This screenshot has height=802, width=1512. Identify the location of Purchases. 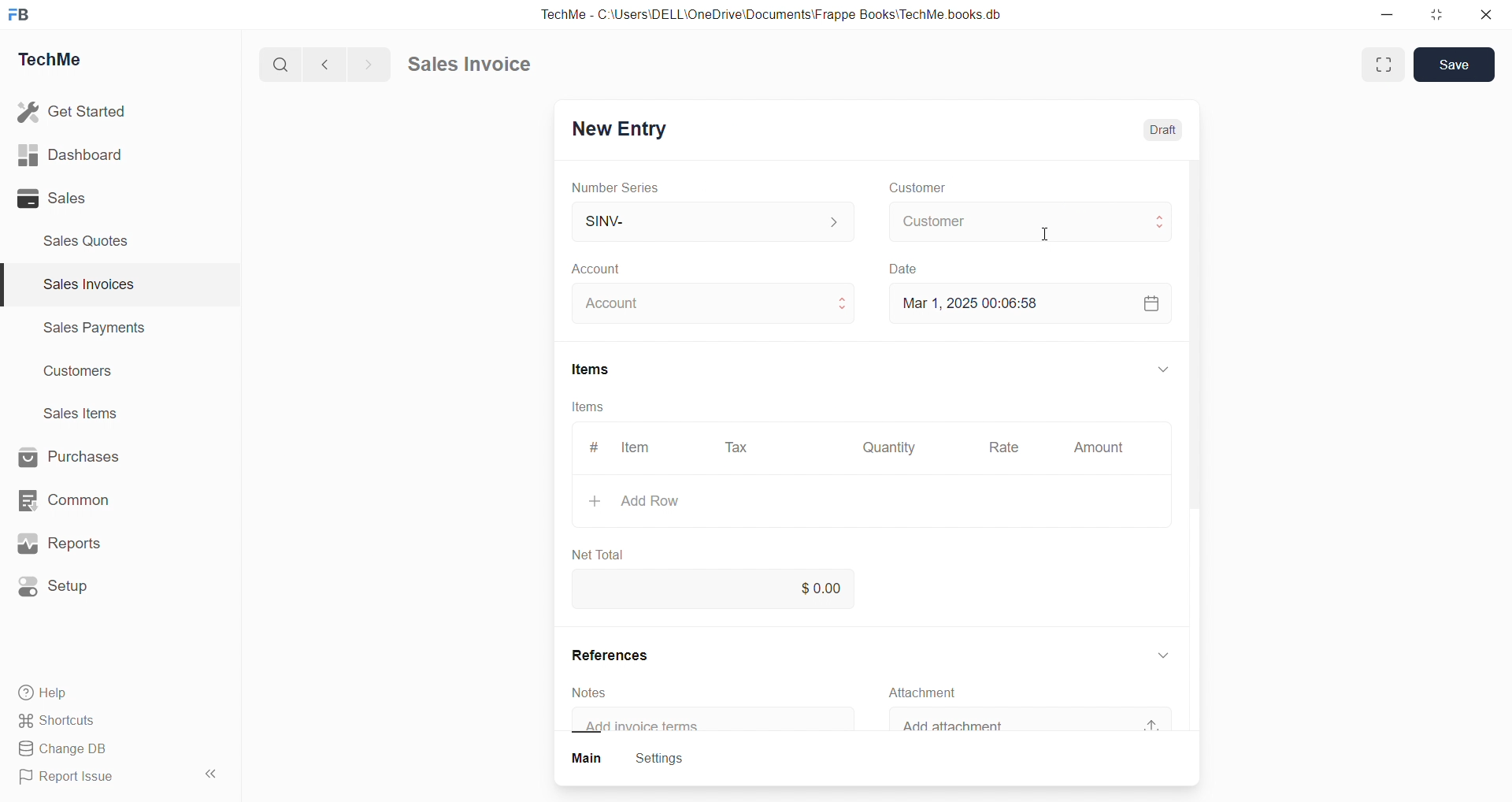
(83, 455).